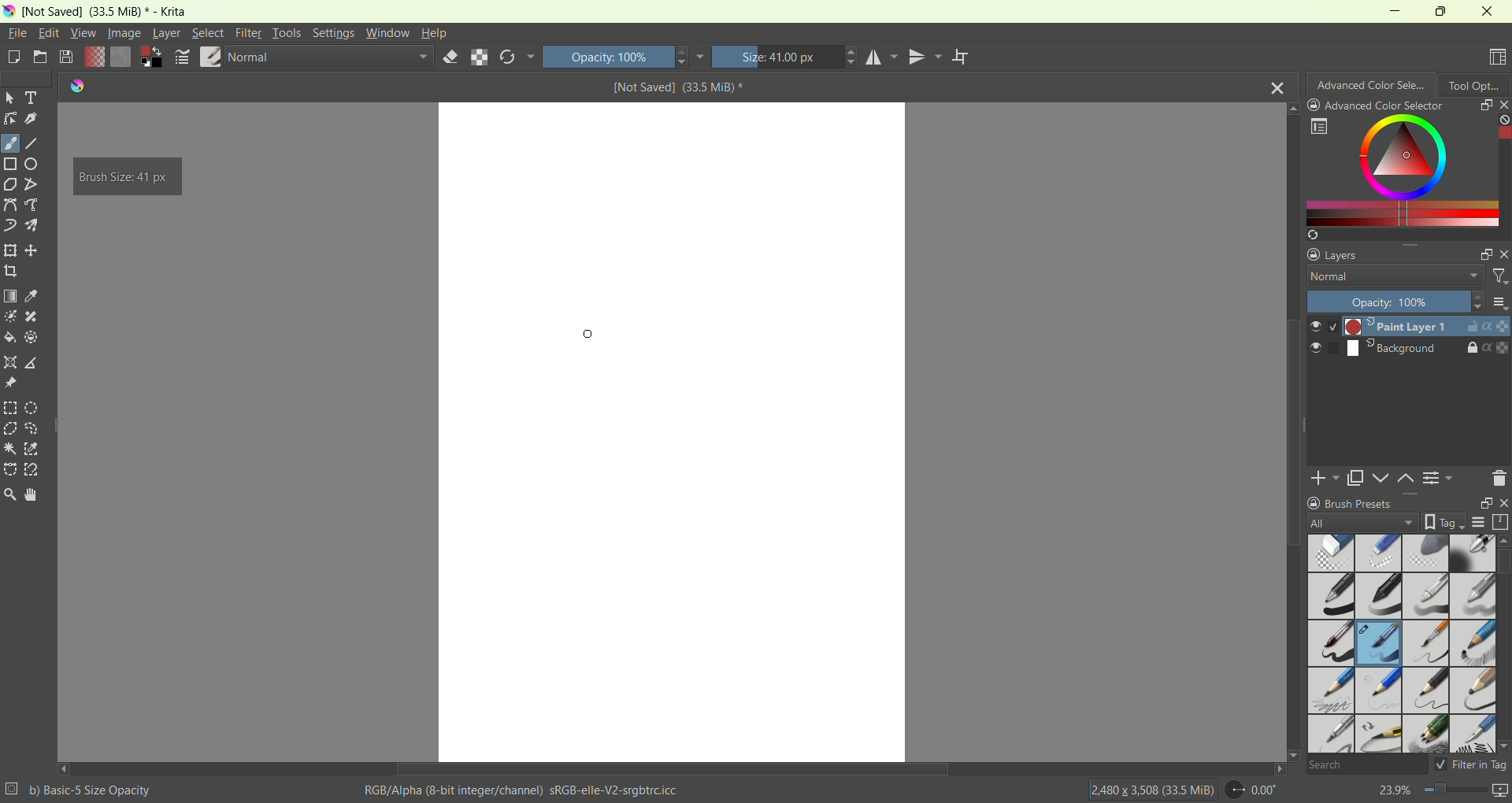  I want to click on close, so click(1501, 503).